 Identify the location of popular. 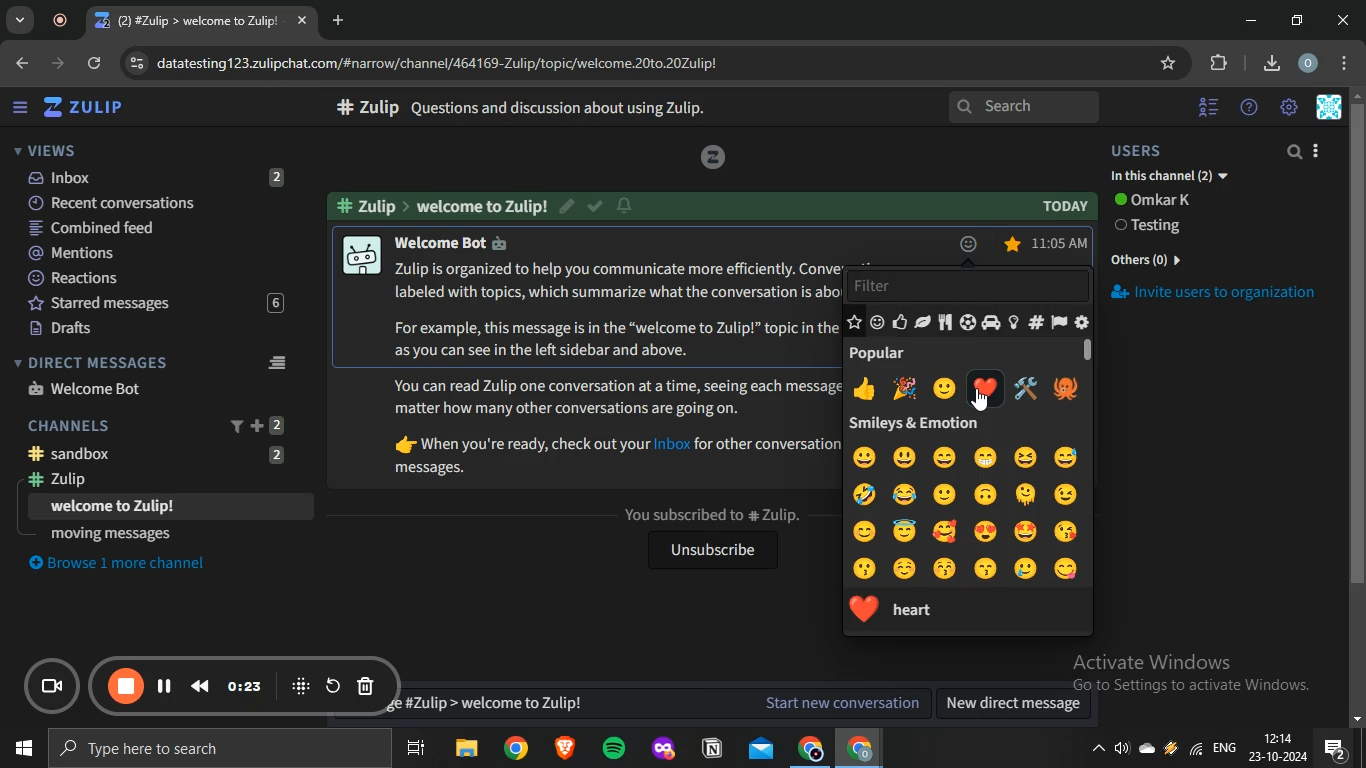
(855, 322).